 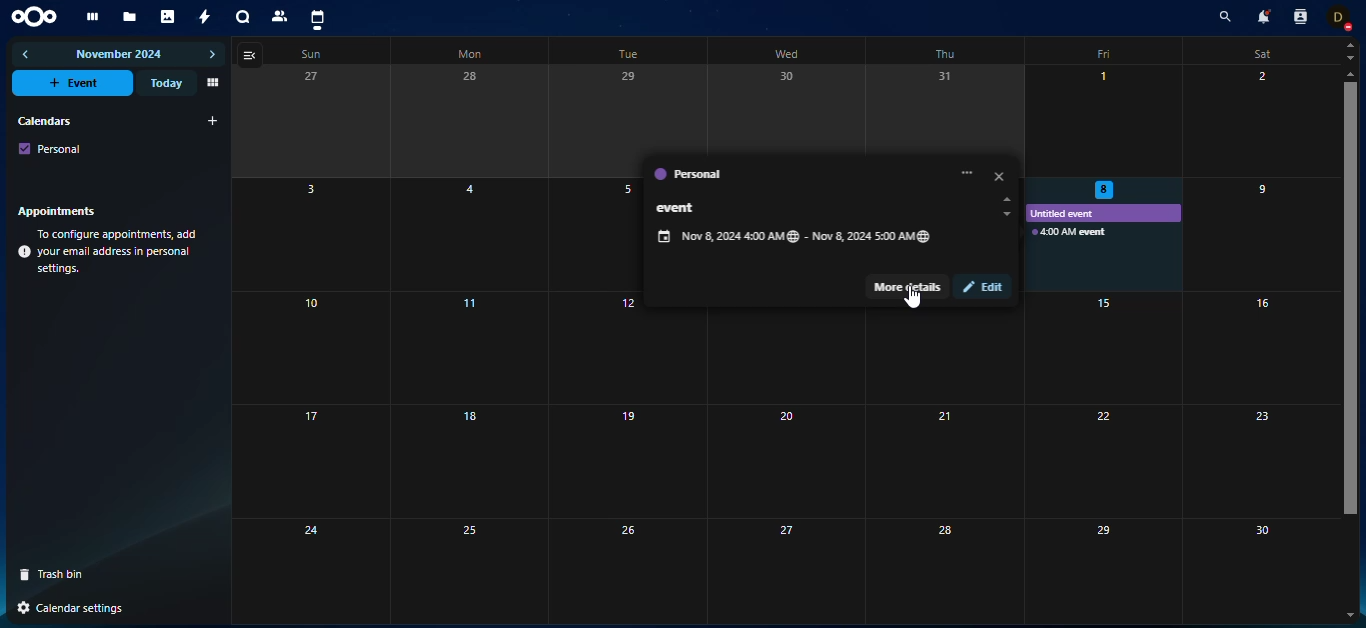 I want to click on info, so click(x=110, y=252).